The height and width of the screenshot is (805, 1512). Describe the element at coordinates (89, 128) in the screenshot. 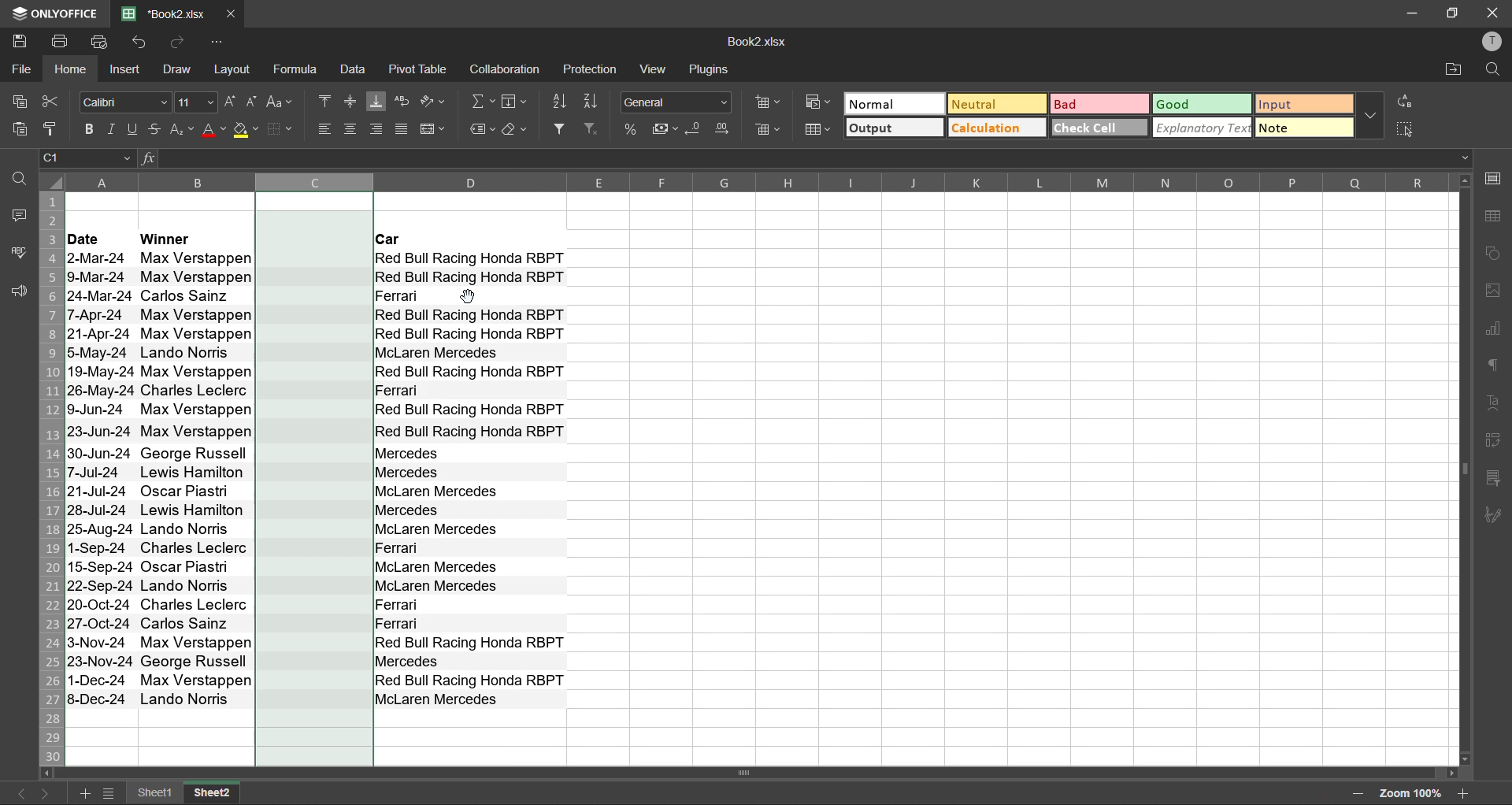

I see `bold` at that location.